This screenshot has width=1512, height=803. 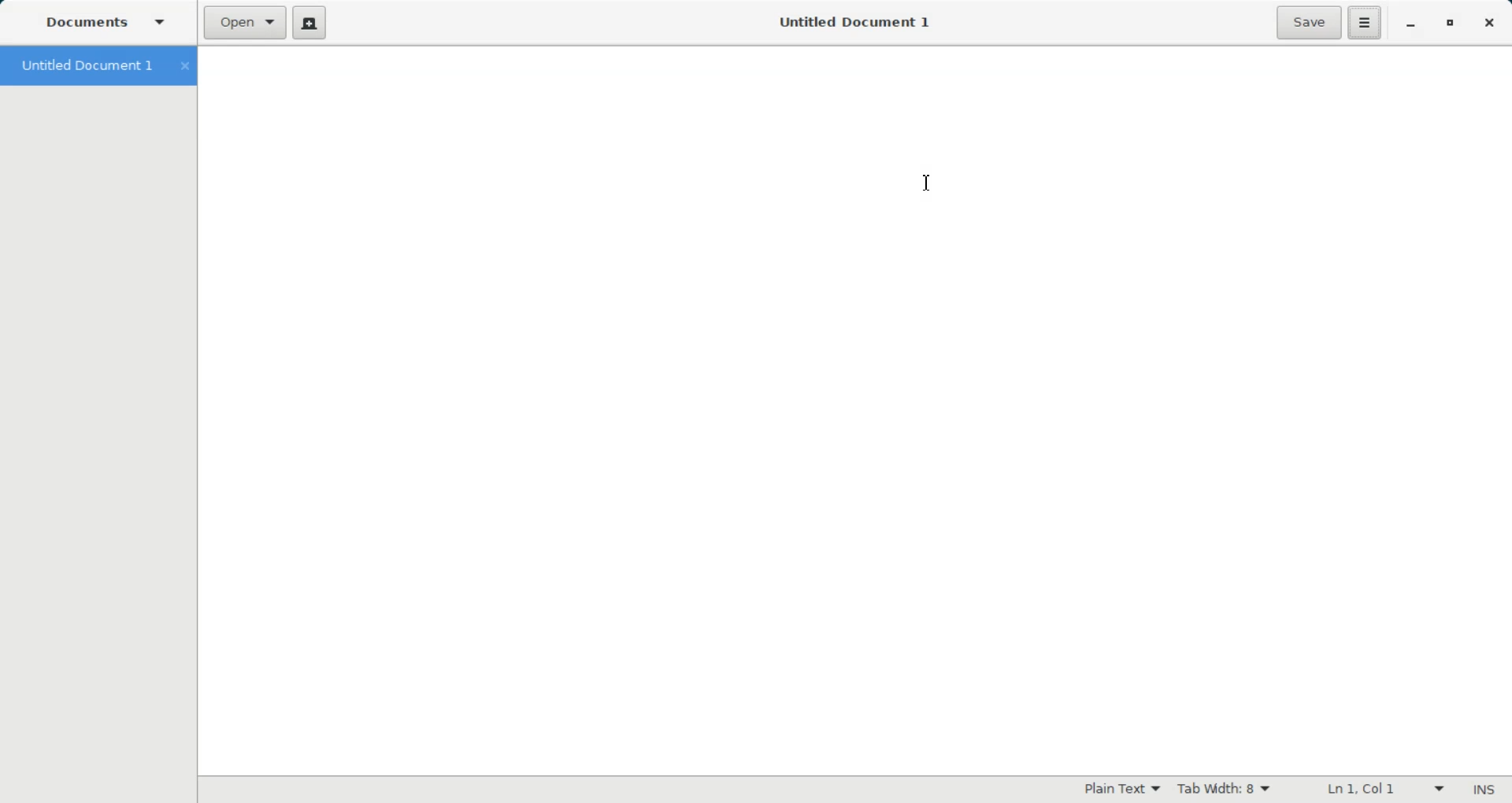 I want to click on Save, so click(x=1309, y=22).